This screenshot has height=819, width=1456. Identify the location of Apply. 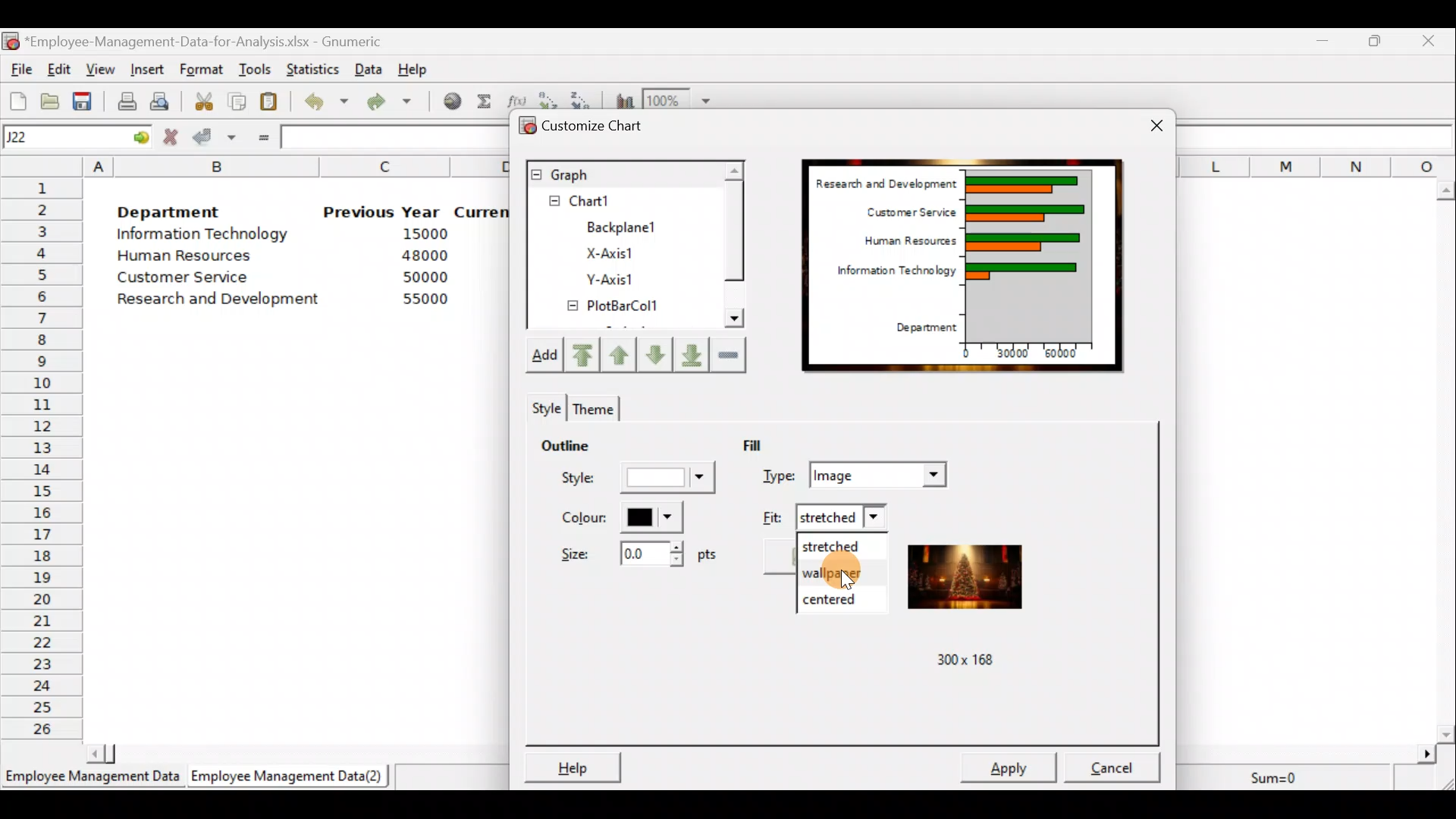
(1010, 767).